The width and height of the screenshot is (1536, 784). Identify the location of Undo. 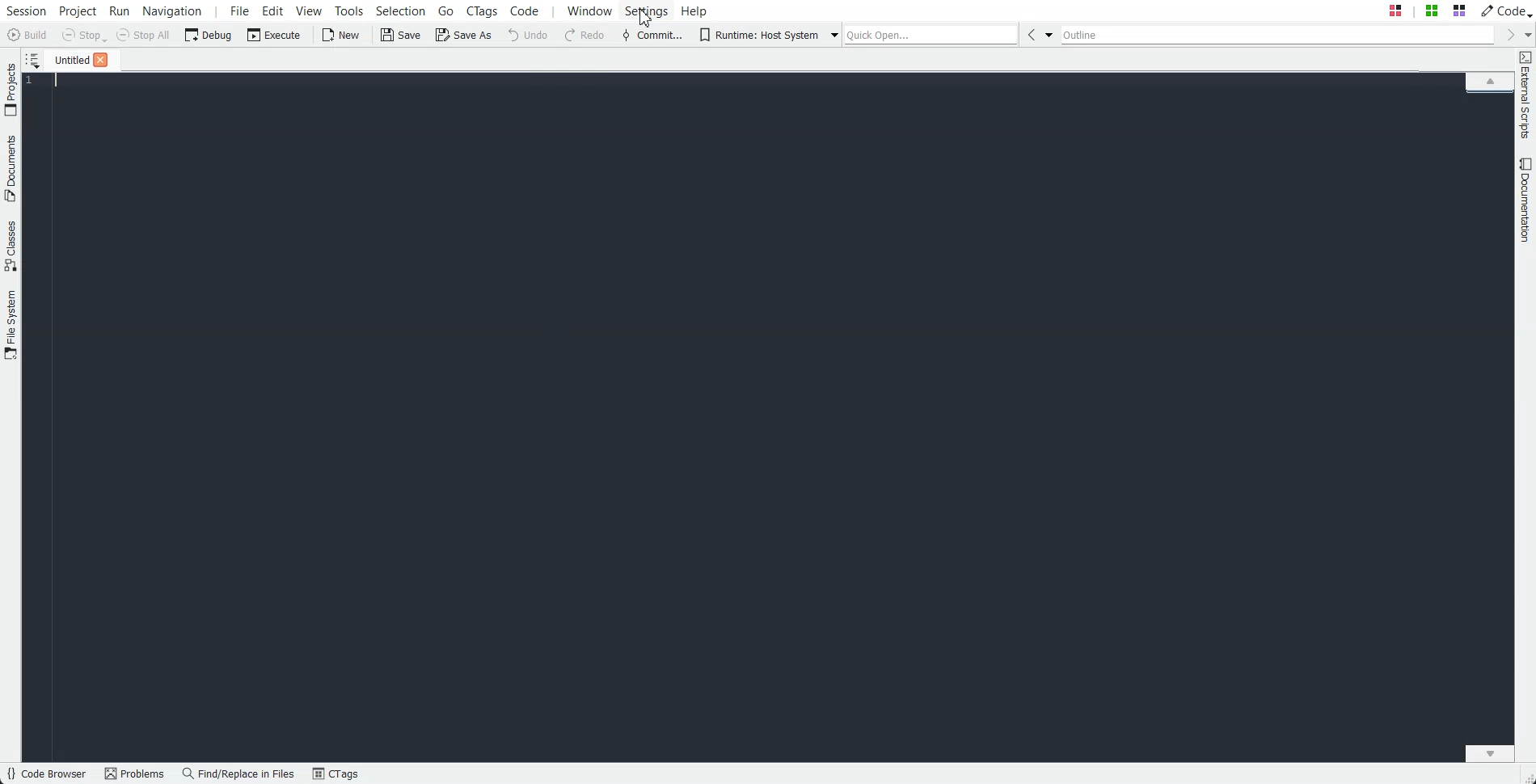
(528, 34).